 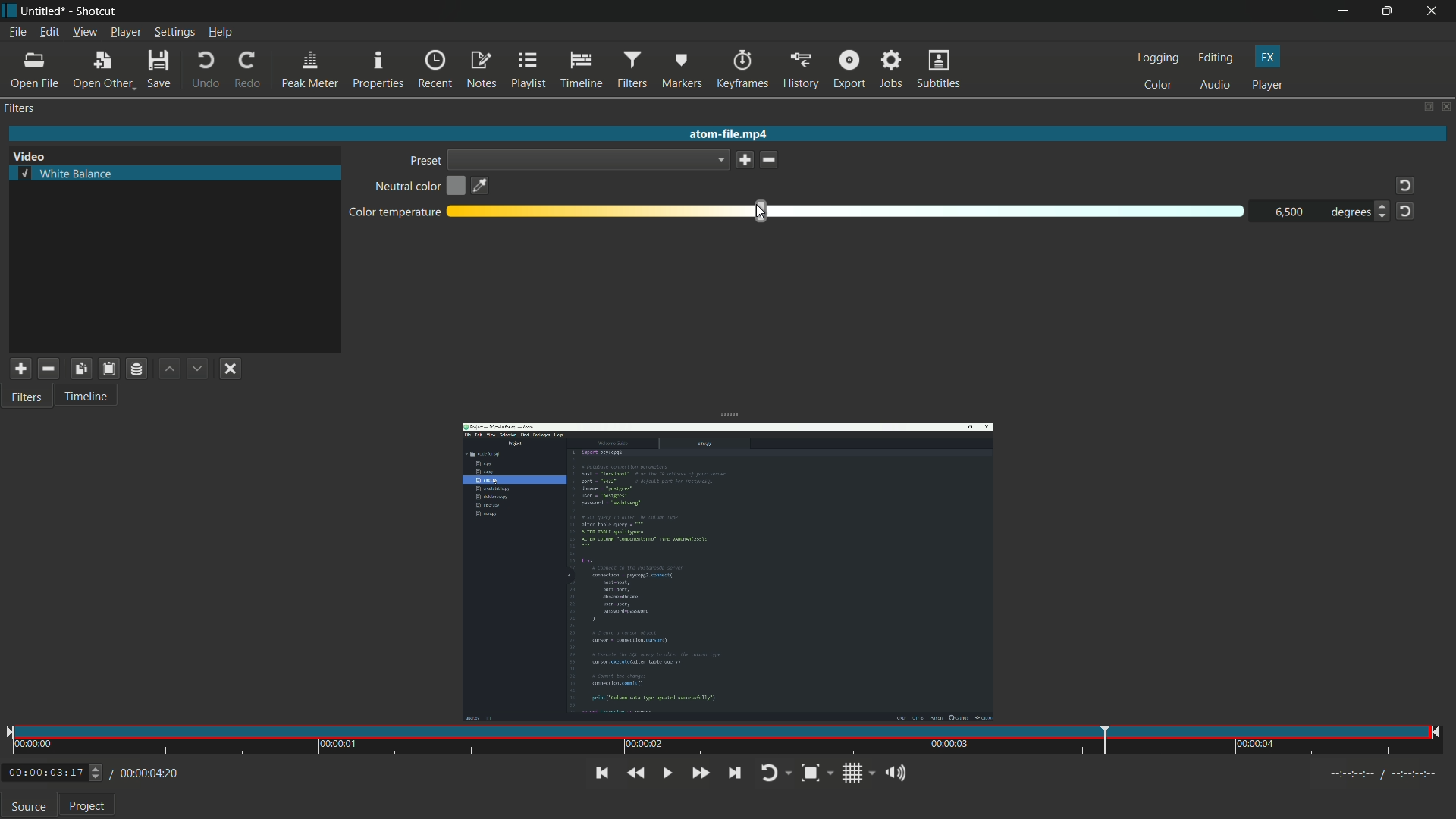 I want to click on save filter set, so click(x=137, y=369).